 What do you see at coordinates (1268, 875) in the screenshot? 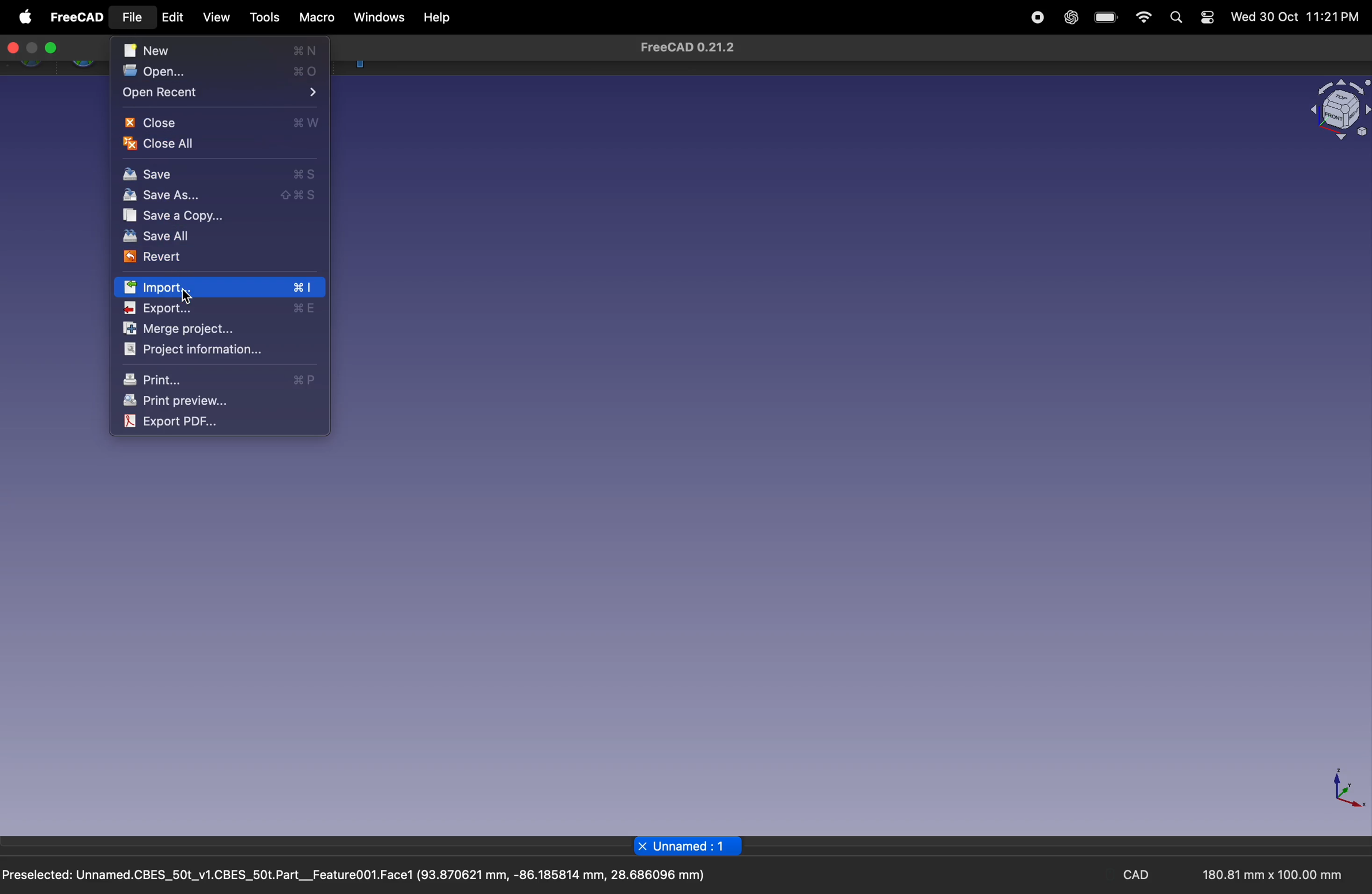
I see `180.81 mm x 100.00 mm` at bounding box center [1268, 875].